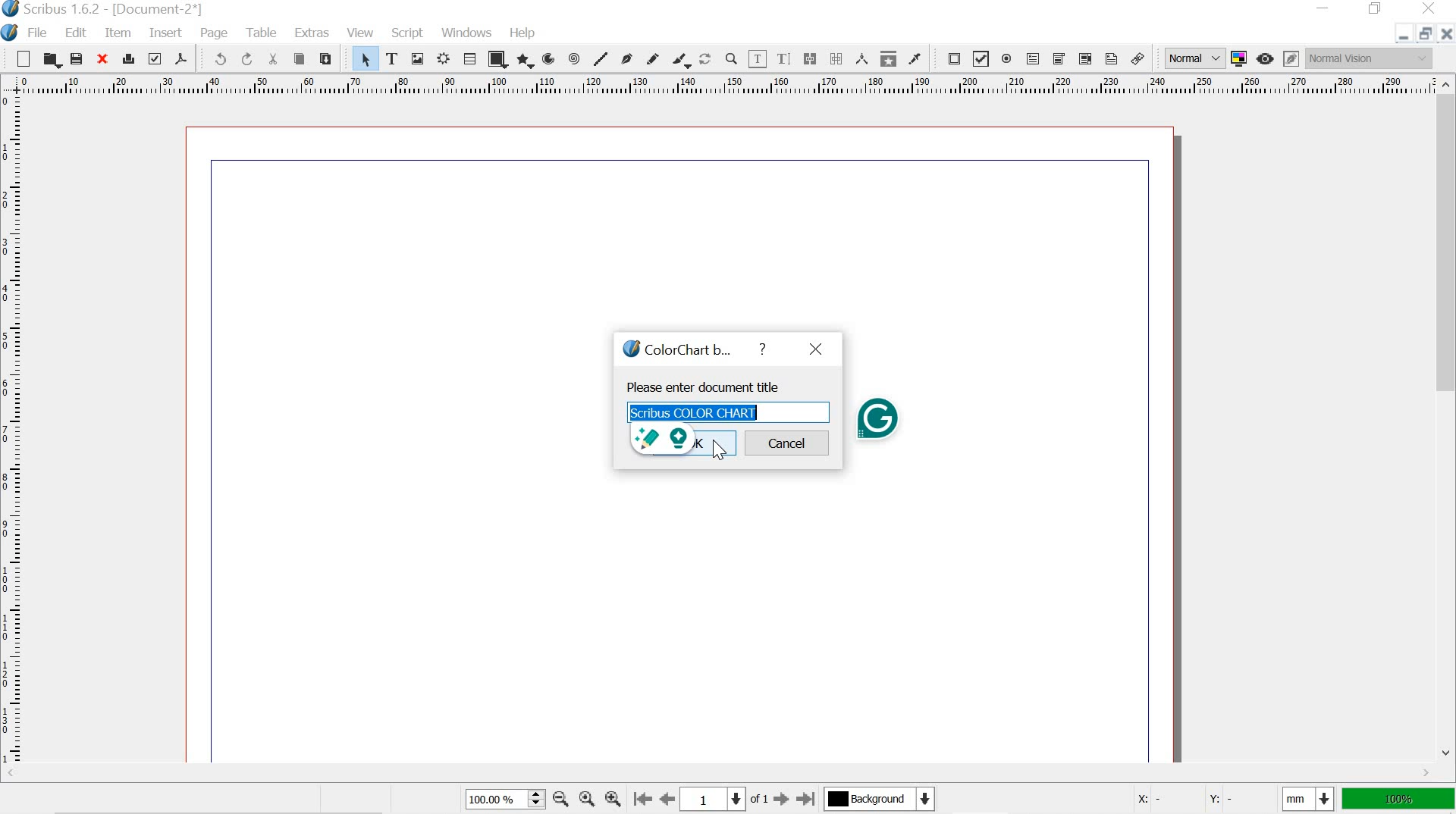 The width and height of the screenshot is (1456, 814). Describe the element at coordinates (732, 59) in the screenshot. I see `zoom in or out` at that location.